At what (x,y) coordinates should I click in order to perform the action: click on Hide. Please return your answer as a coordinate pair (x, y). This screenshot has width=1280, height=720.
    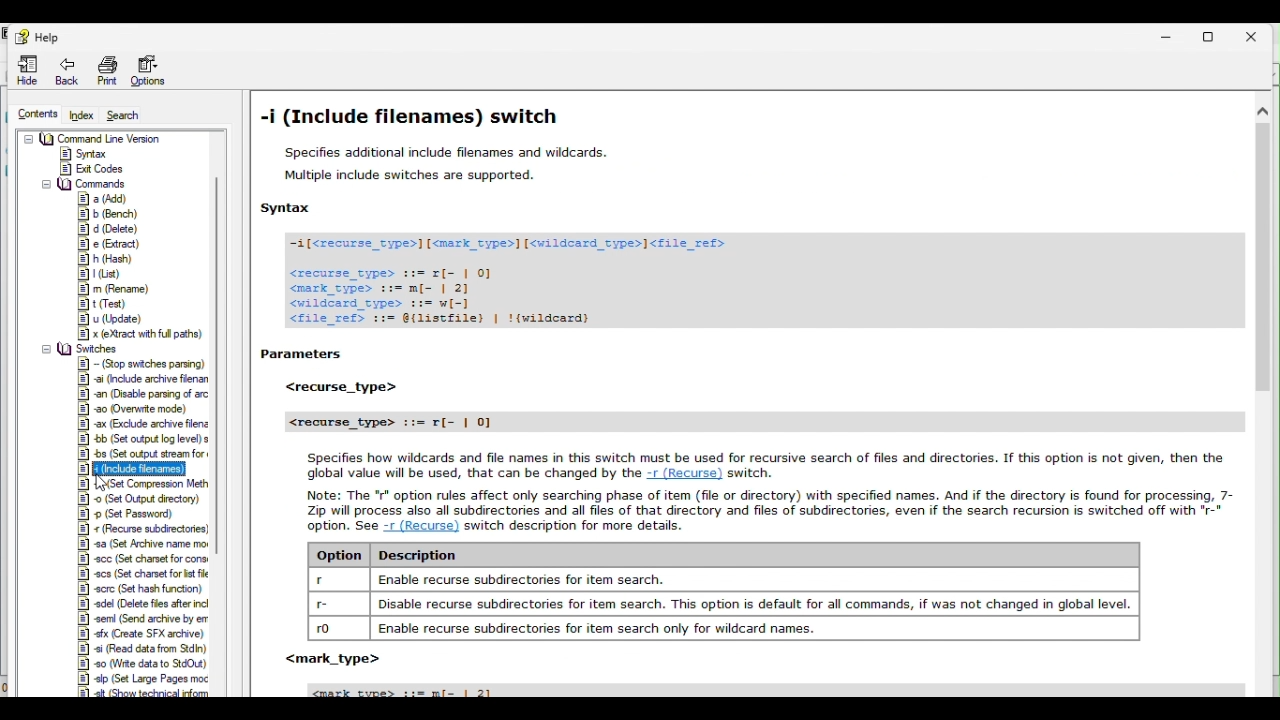
    Looking at the image, I should click on (24, 68).